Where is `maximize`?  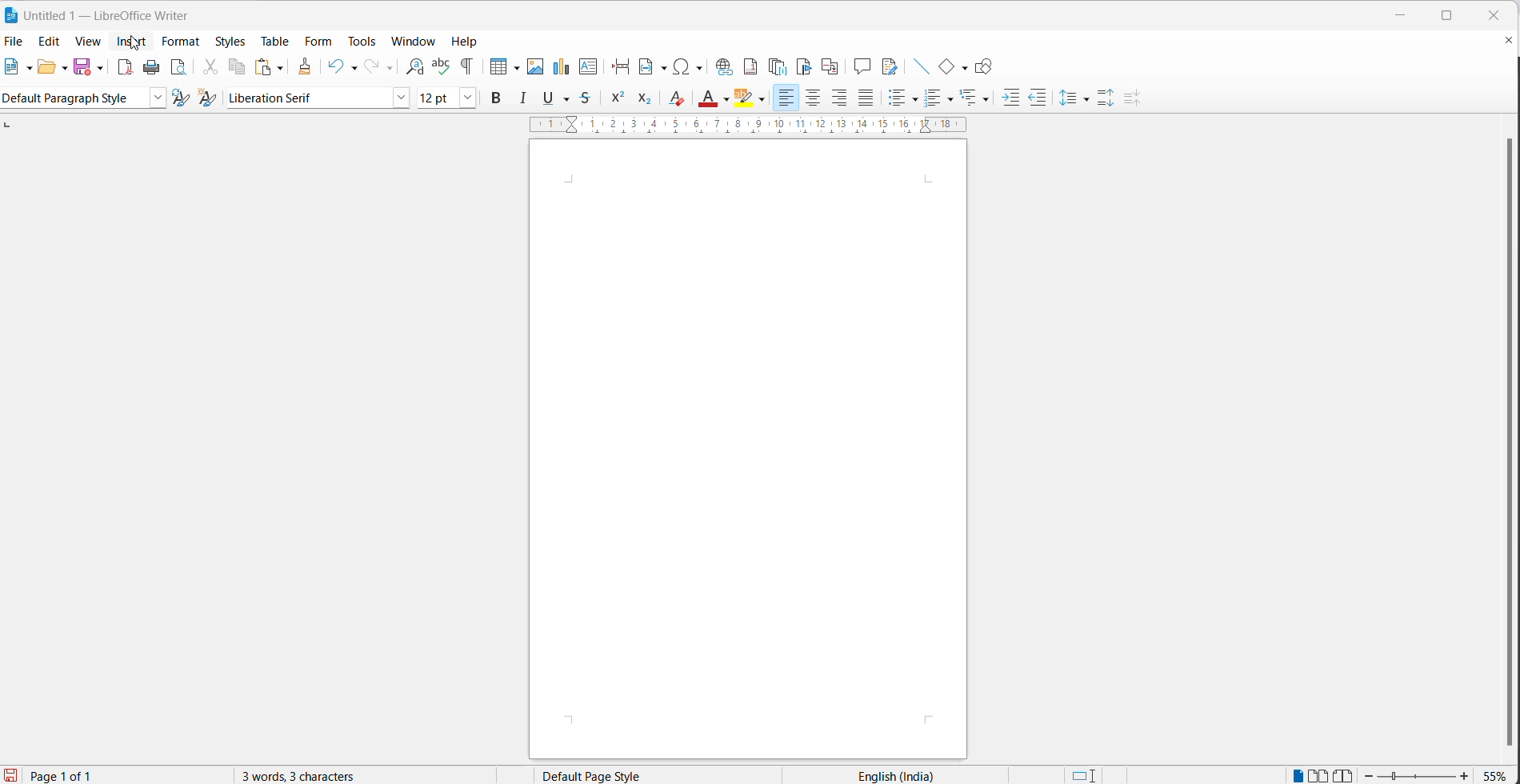 maximize is located at coordinates (1446, 18).